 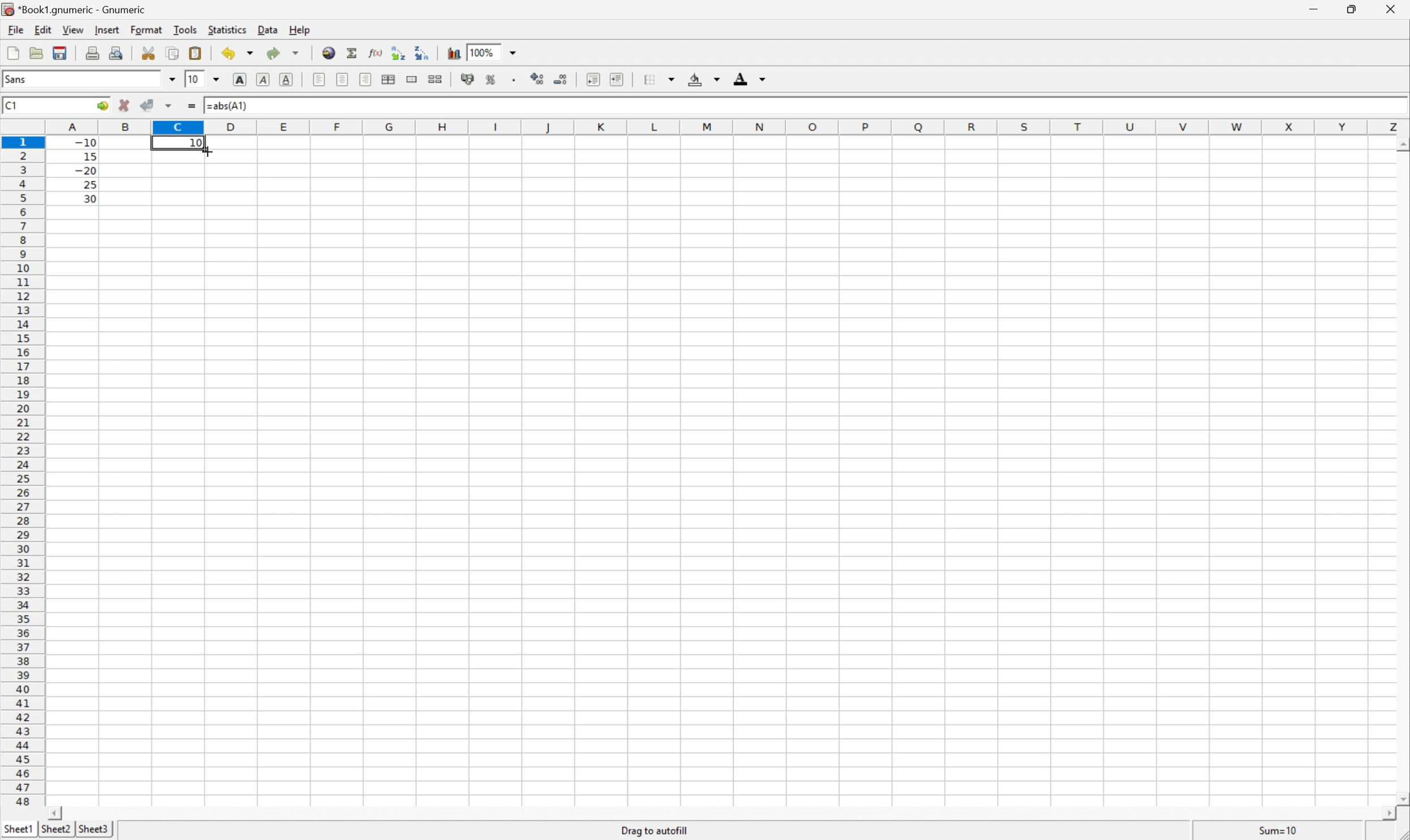 What do you see at coordinates (232, 104) in the screenshot?
I see `=ABS(A1)` at bounding box center [232, 104].